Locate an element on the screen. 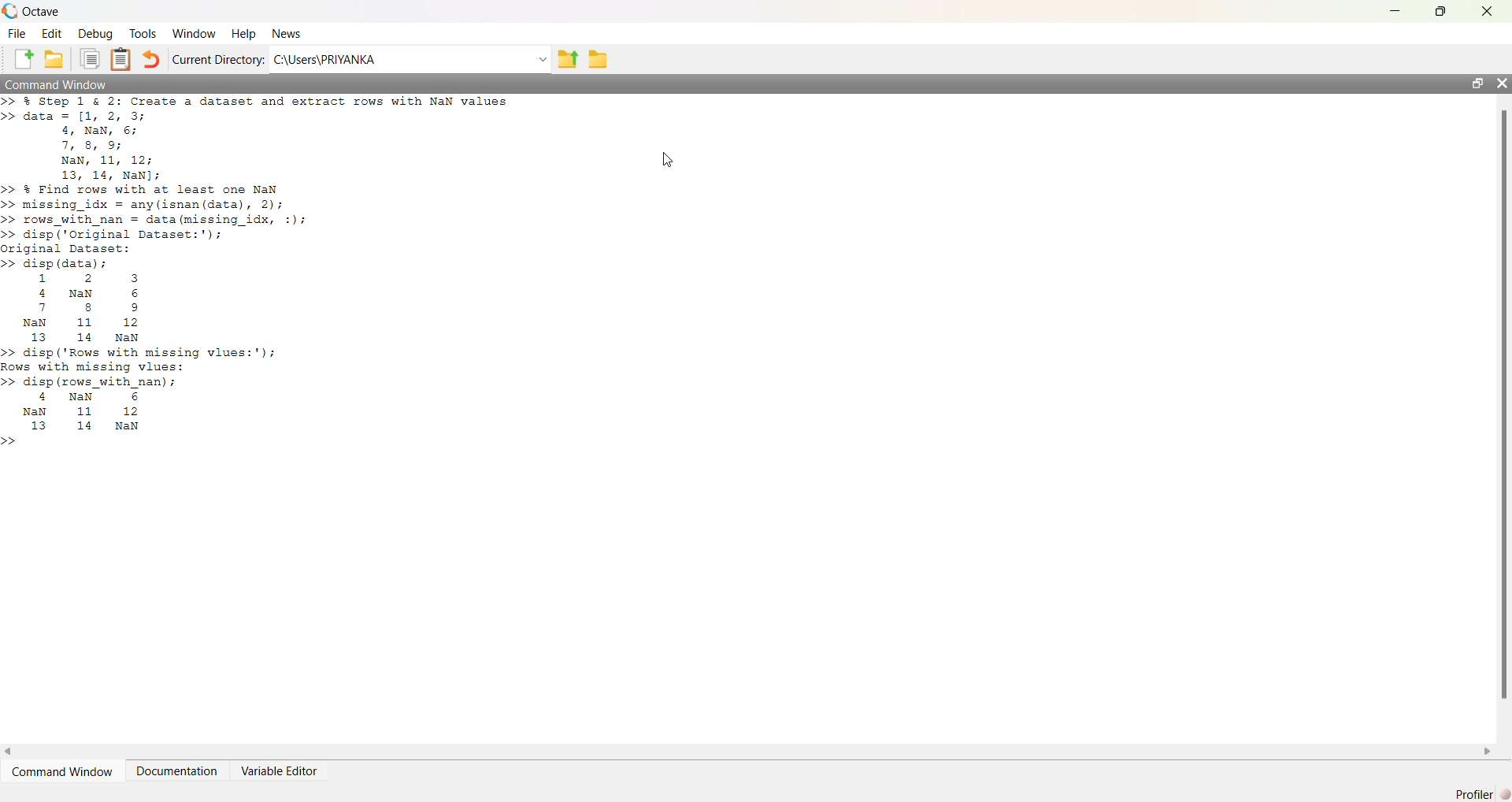 This screenshot has height=802, width=1512. dropdown is located at coordinates (541, 60).